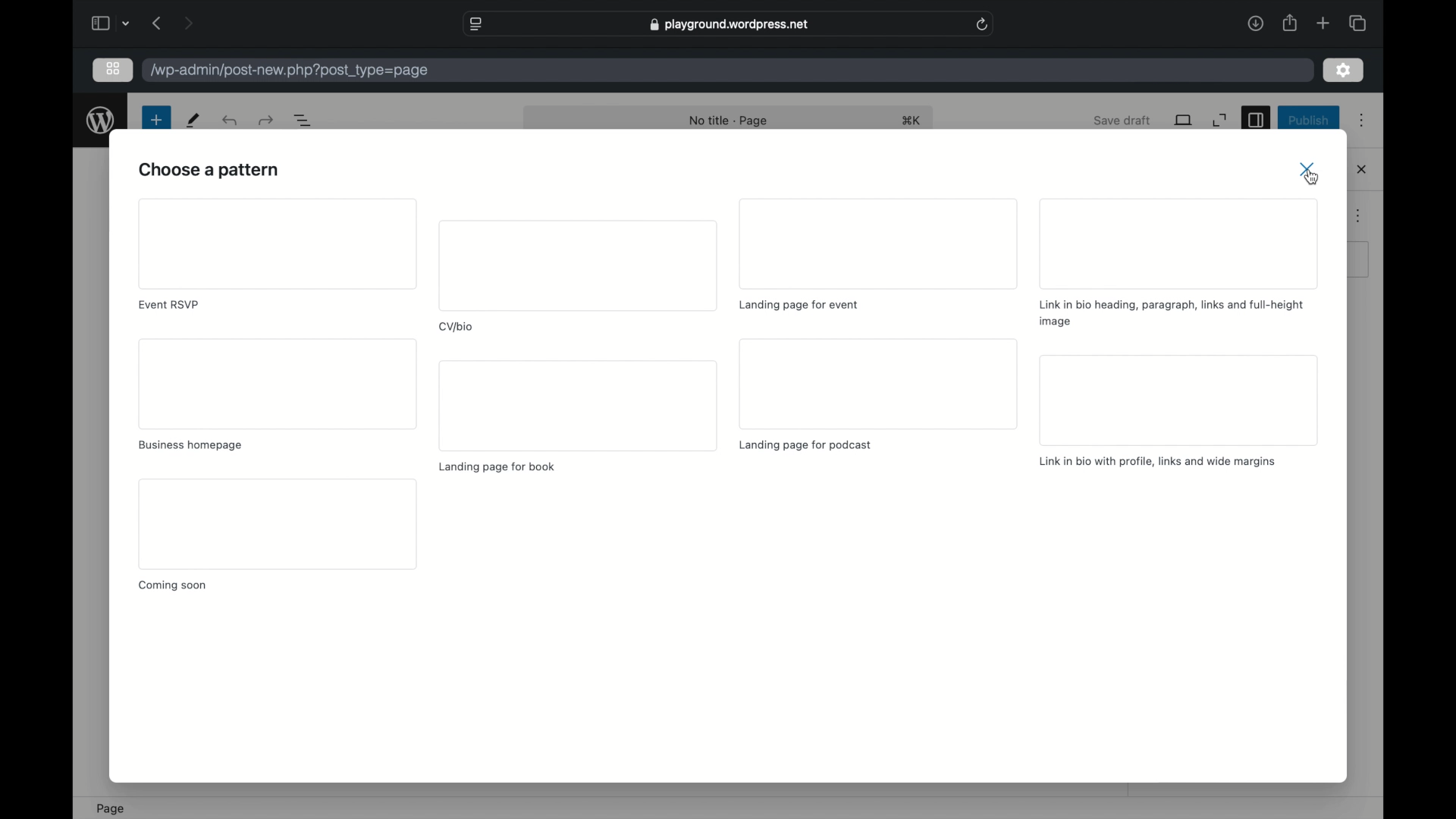 This screenshot has height=819, width=1456. What do you see at coordinates (1159, 462) in the screenshot?
I see `link in bio with profile, links and wide margins` at bounding box center [1159, 462].